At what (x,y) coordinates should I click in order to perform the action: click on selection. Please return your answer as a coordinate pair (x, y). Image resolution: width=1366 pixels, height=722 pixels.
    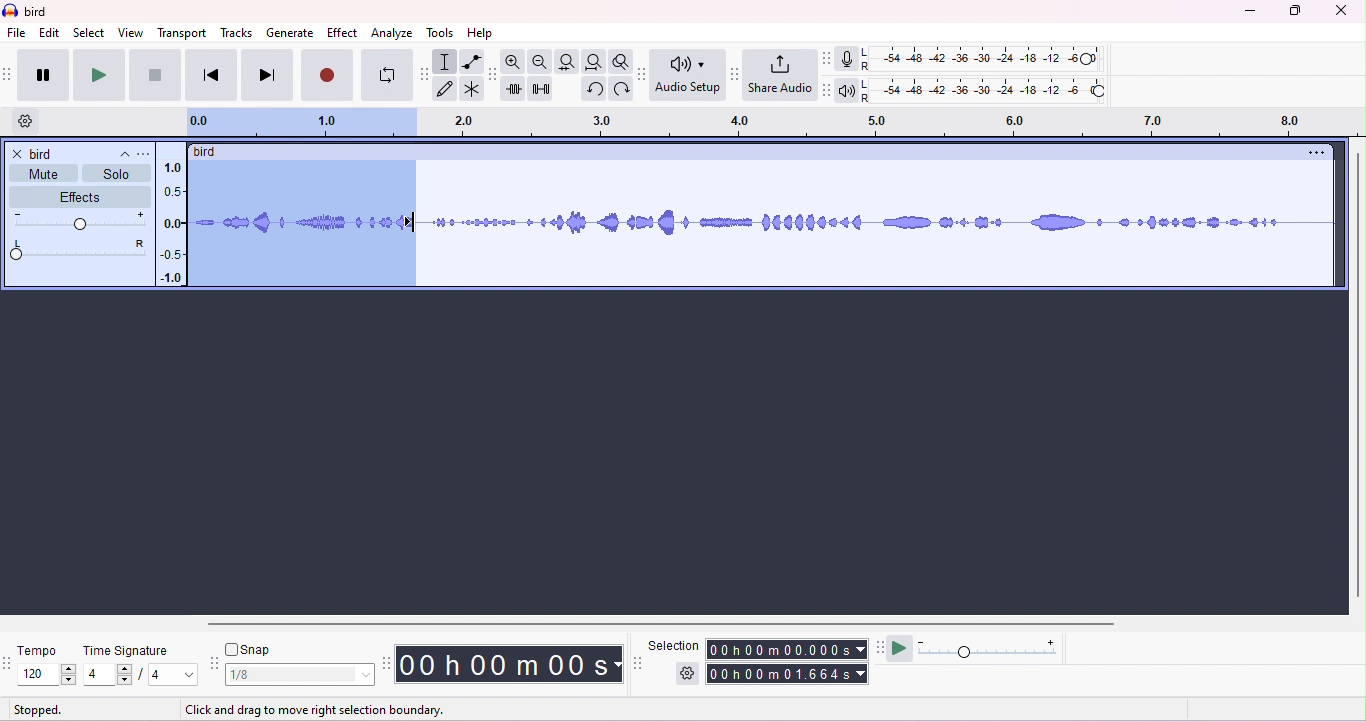
    Looking at the image, I should click on (446, 62).